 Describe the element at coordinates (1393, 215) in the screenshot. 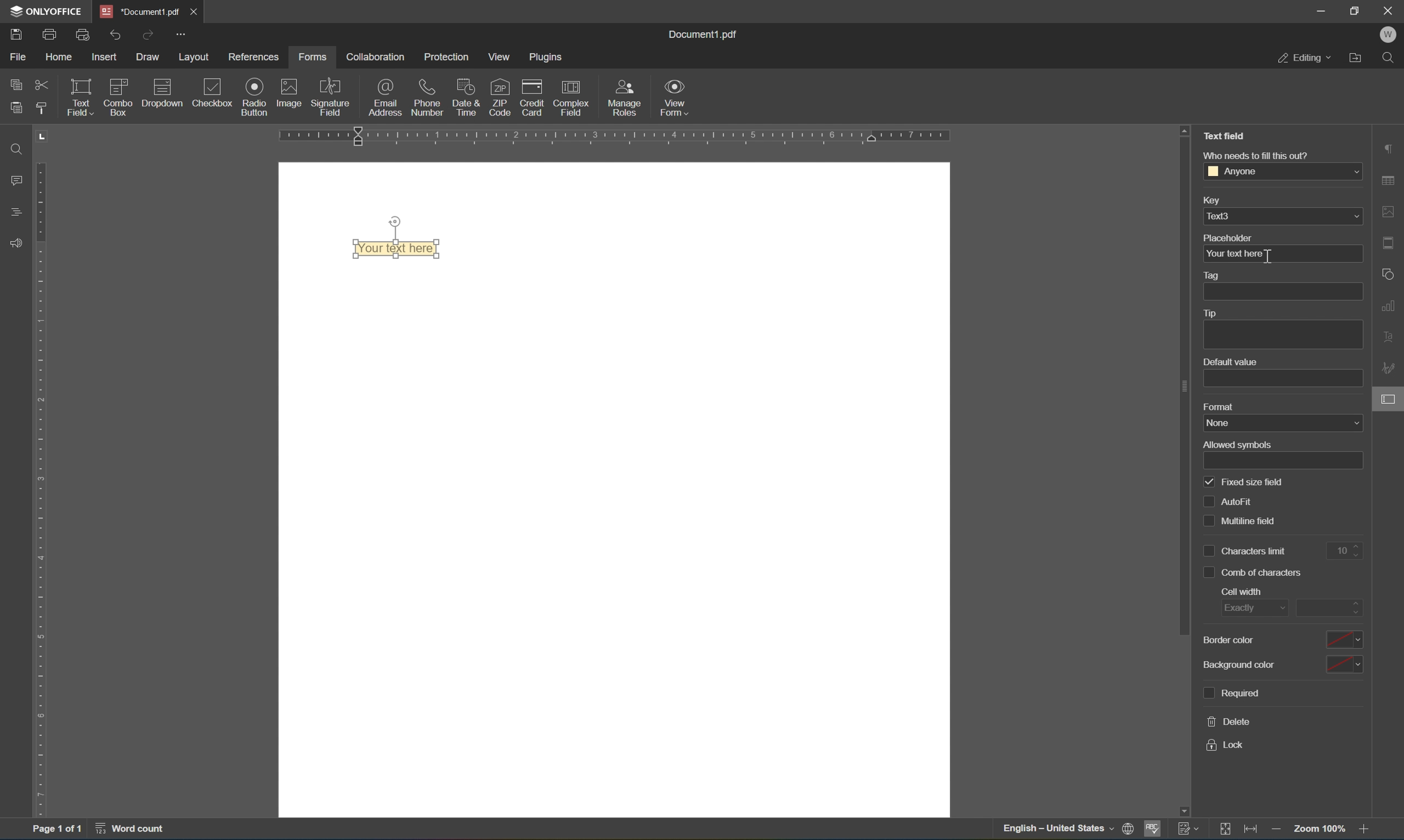

I see `image settings` at that location.